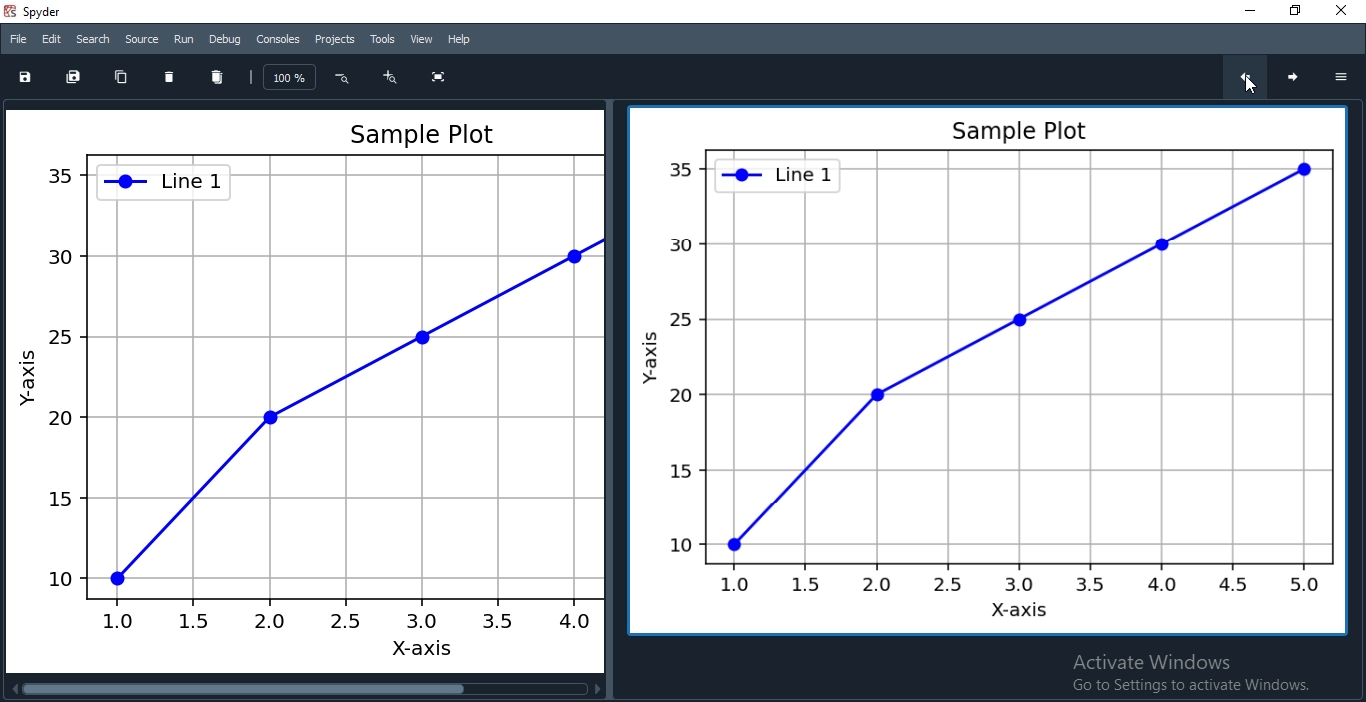 The height and width of the screenshot is (702, 1366). Describe the element at coordinates (39, 11) in the screenshot. I see `spyder` at that location.